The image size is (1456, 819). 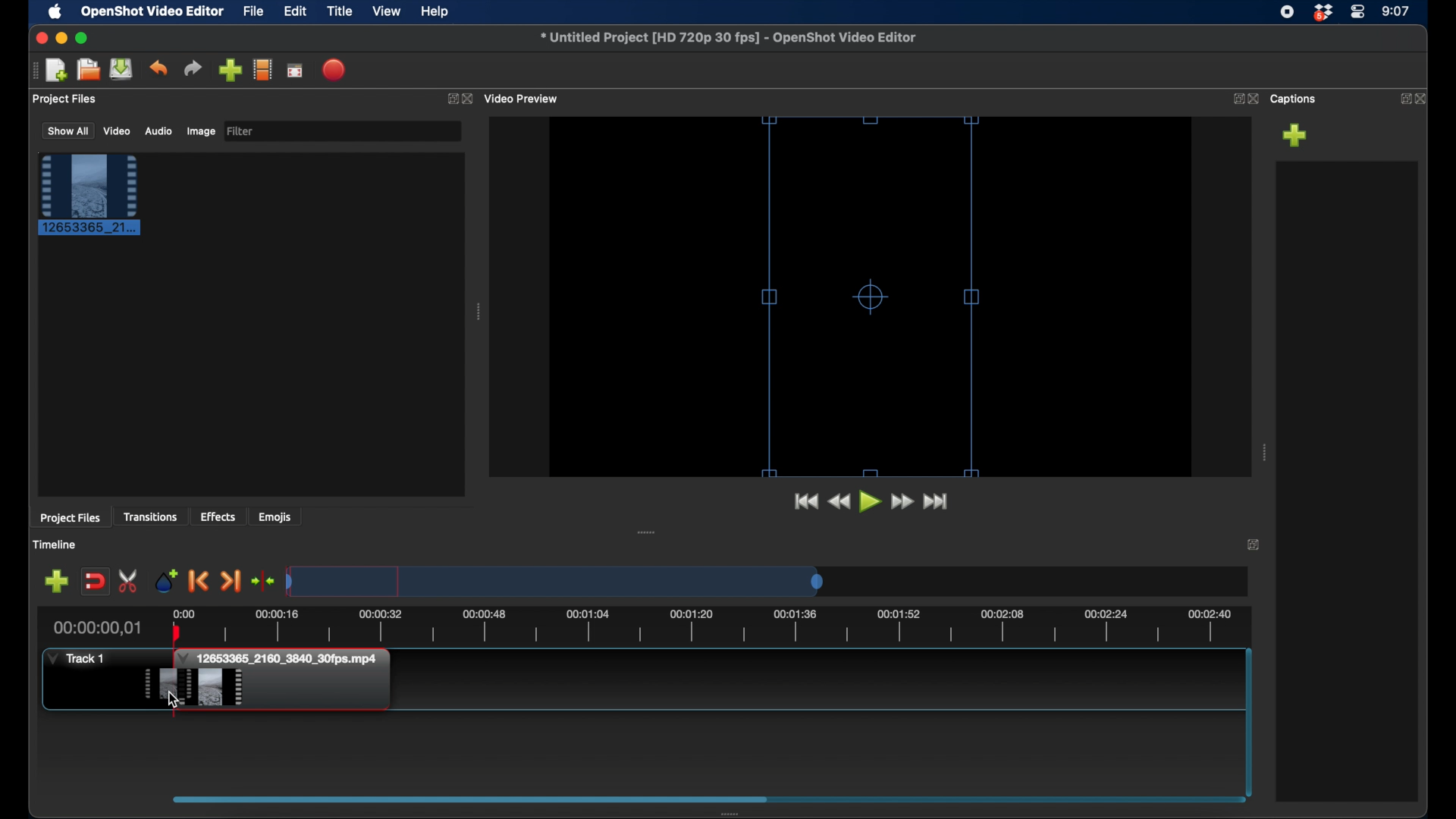 I want to click on disable snapping, so click(x=94, y=582).